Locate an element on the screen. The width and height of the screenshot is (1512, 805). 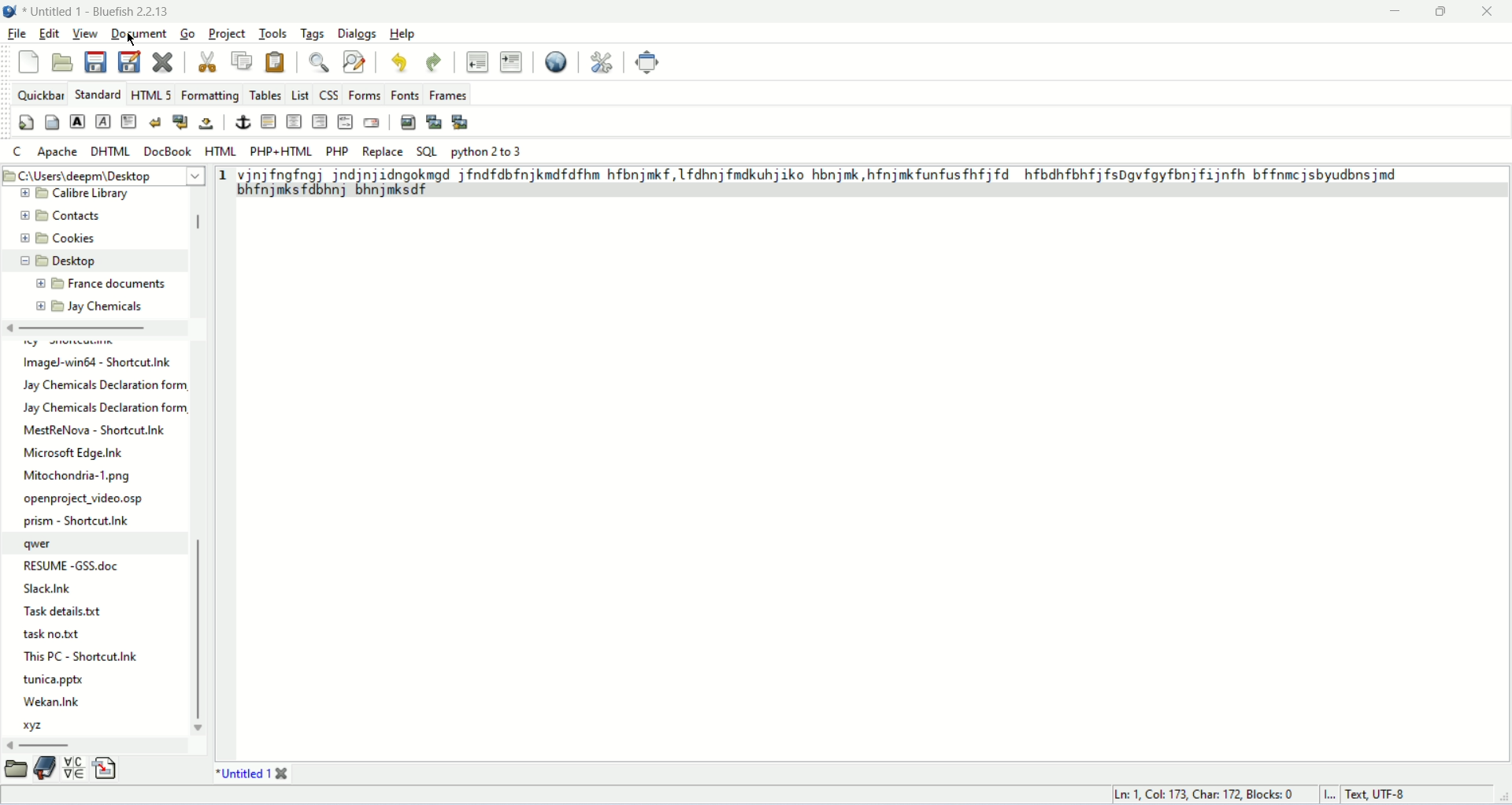
insert thumbnail is located at coordinates (435, 121).